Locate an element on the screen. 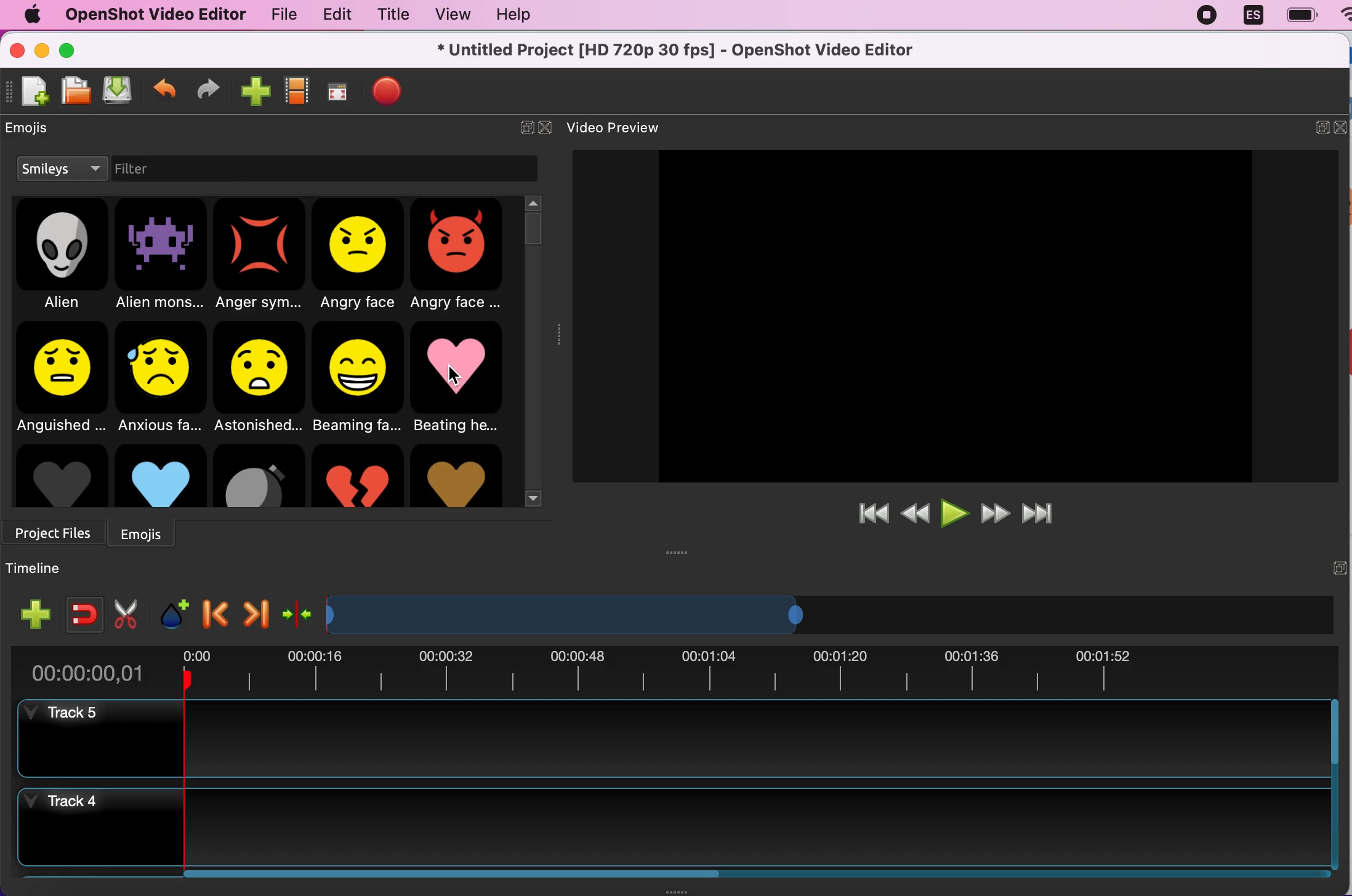  battery is located at coordinates (1297, 15).